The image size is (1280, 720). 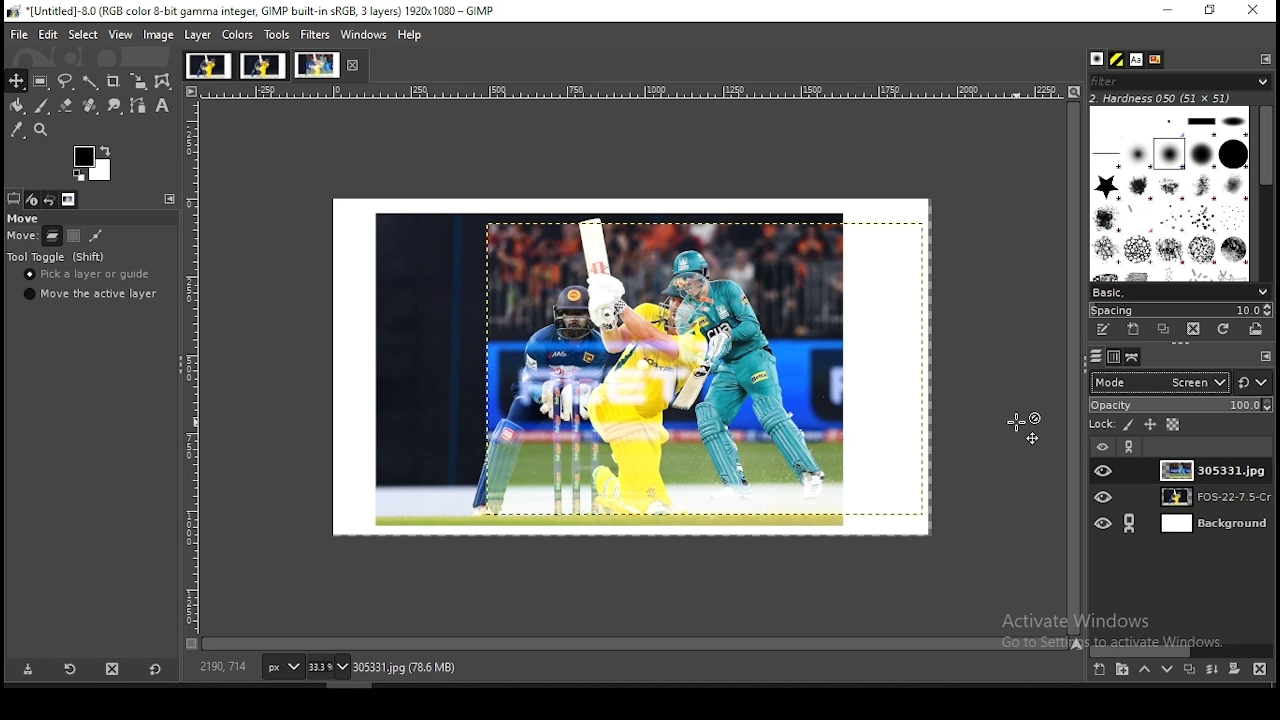 What do you see at coordinates (351, 65) in the screenshot?
I see `close` at bounding box center [351, 65].